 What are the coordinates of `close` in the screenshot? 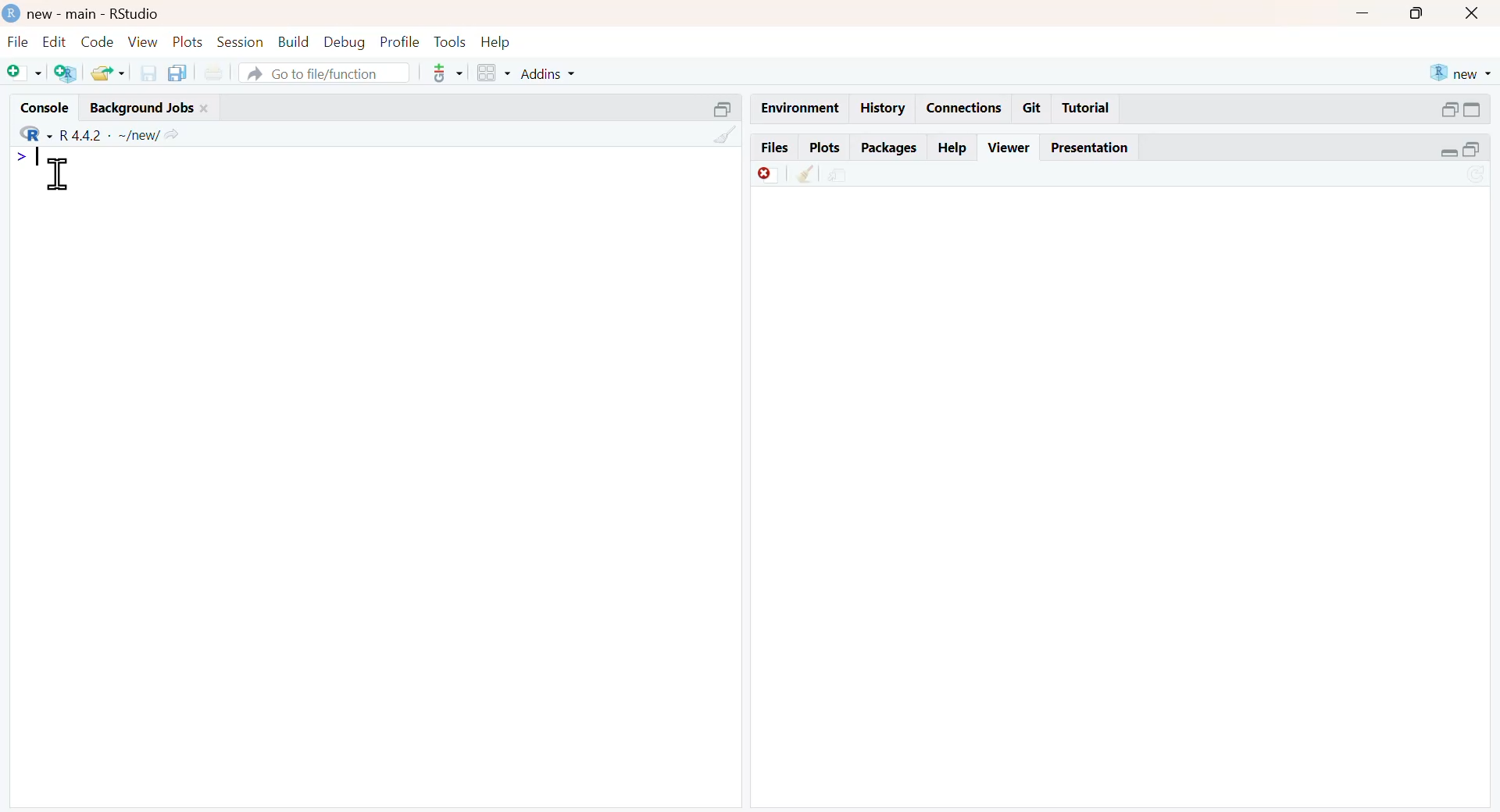 It's located at (205, 109).